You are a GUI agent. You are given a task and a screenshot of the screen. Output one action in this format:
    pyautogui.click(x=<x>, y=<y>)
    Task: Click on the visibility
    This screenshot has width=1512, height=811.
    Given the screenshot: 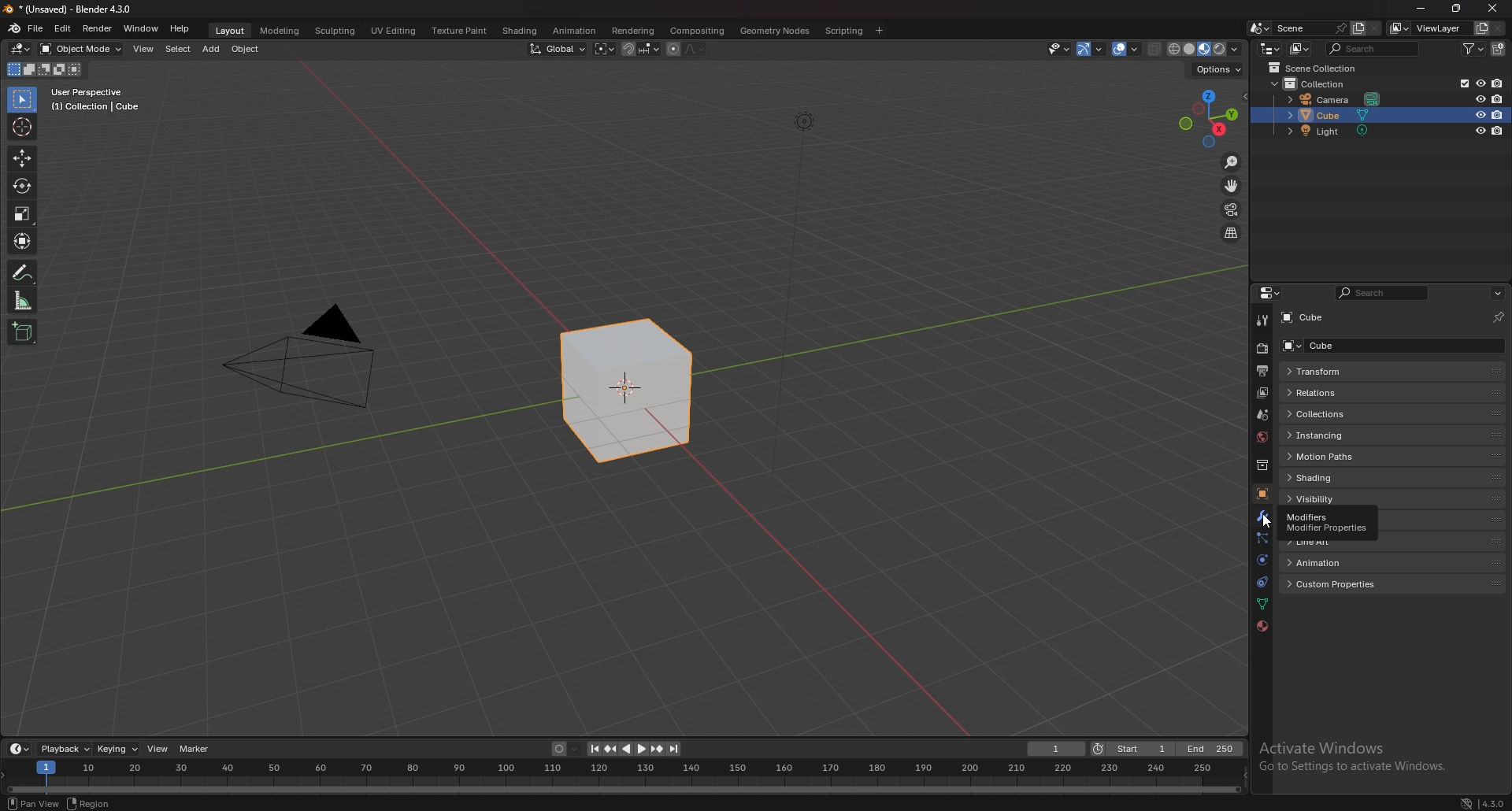 What is the action you would take?
    pyautogui.click(x=1333, y=500)
    